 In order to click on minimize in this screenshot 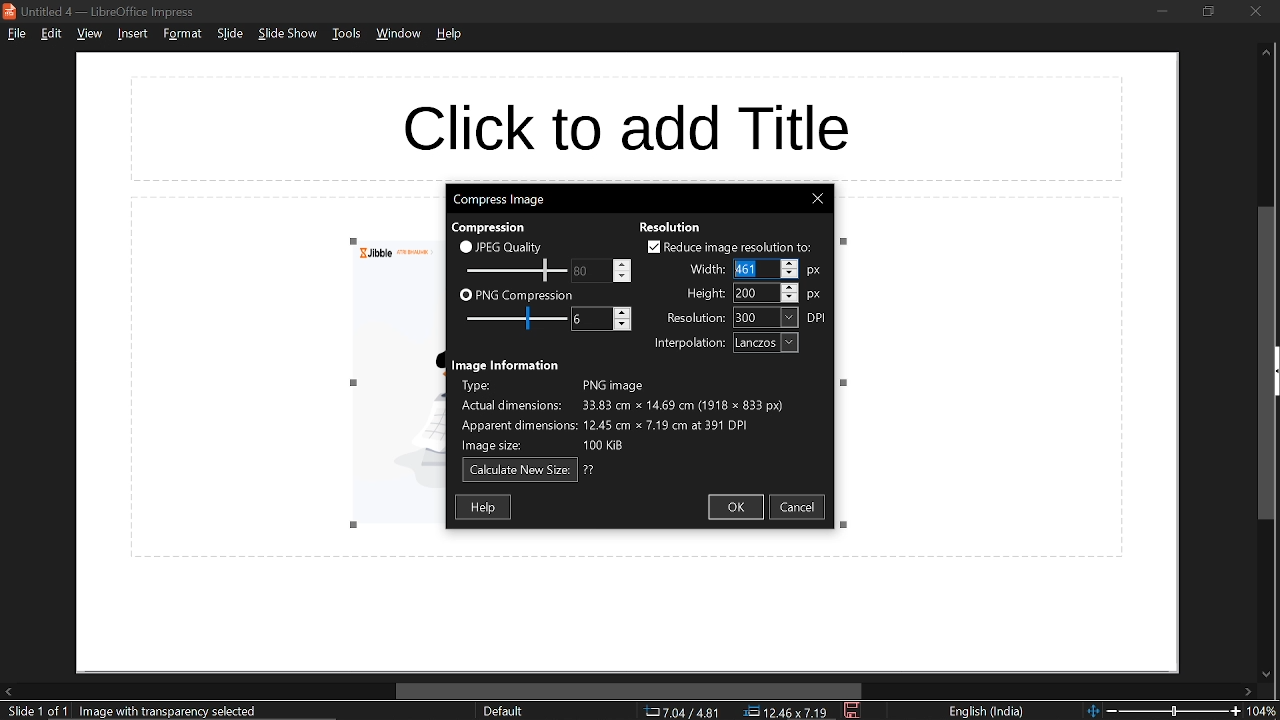, I will do `click(1162, 11)`.